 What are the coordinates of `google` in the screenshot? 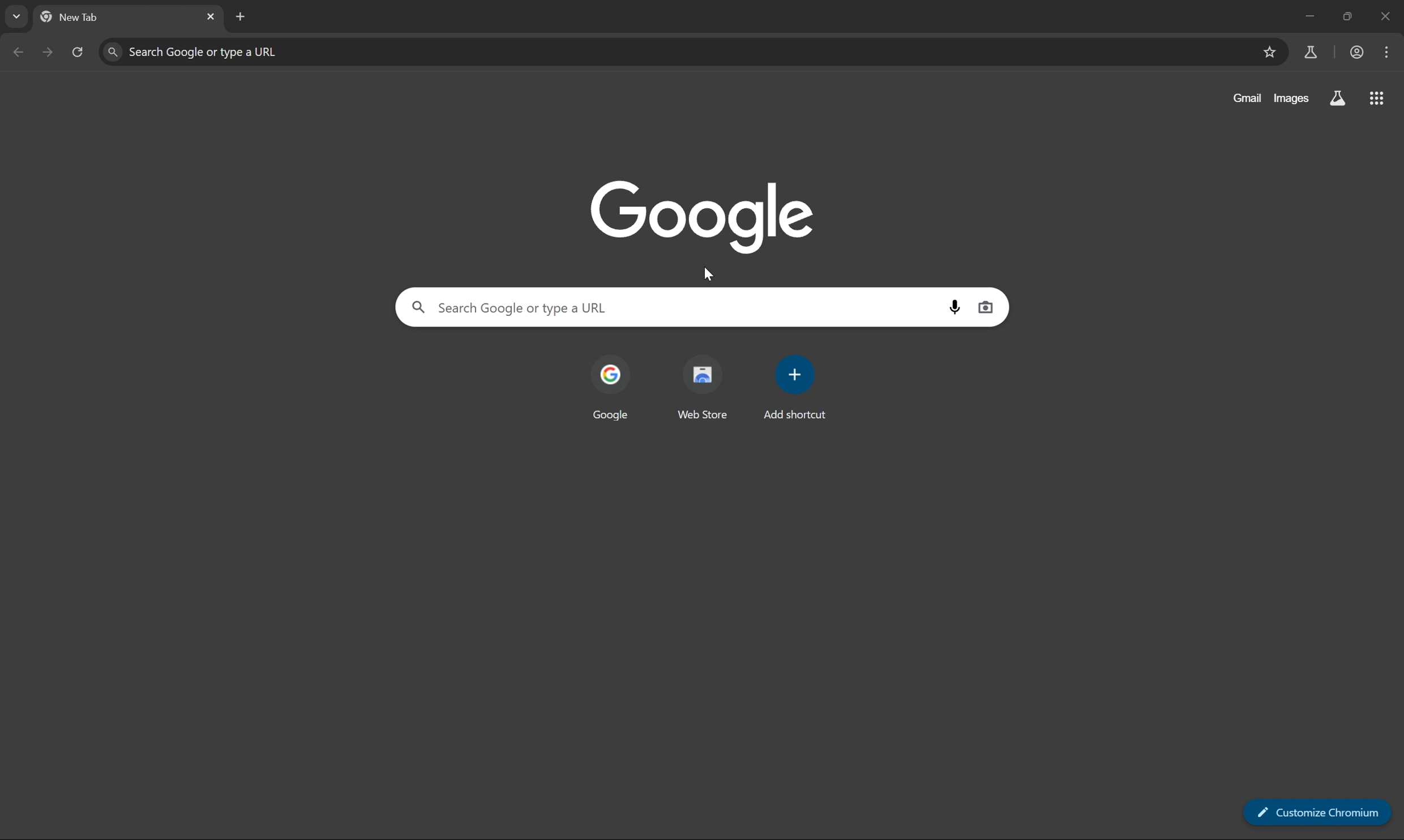 It's located at (613, 391).